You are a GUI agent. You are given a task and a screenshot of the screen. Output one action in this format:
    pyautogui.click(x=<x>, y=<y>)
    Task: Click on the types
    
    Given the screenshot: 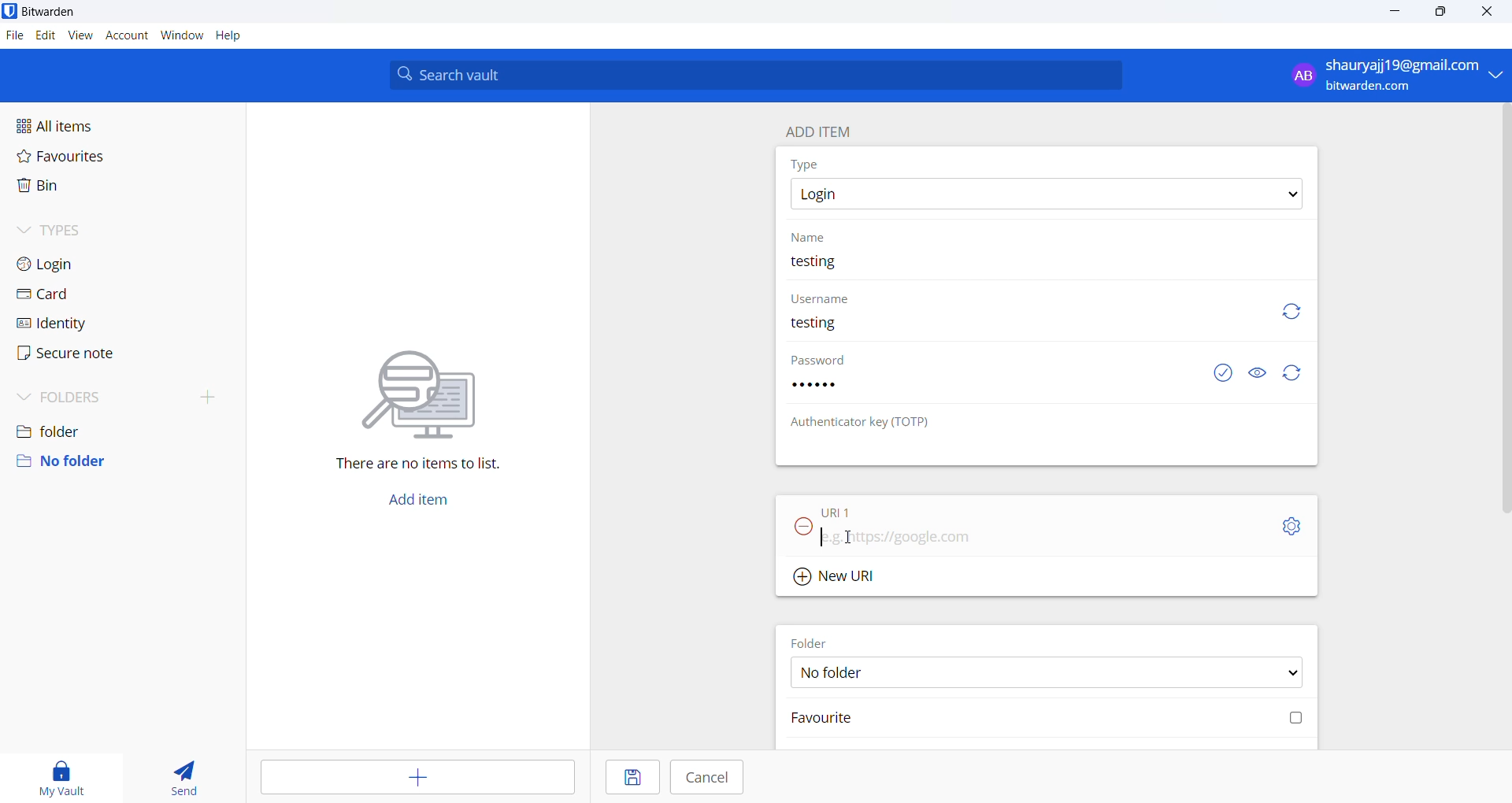 What is the action you would take?
    pyautogui.click(x=87, y=231)
    